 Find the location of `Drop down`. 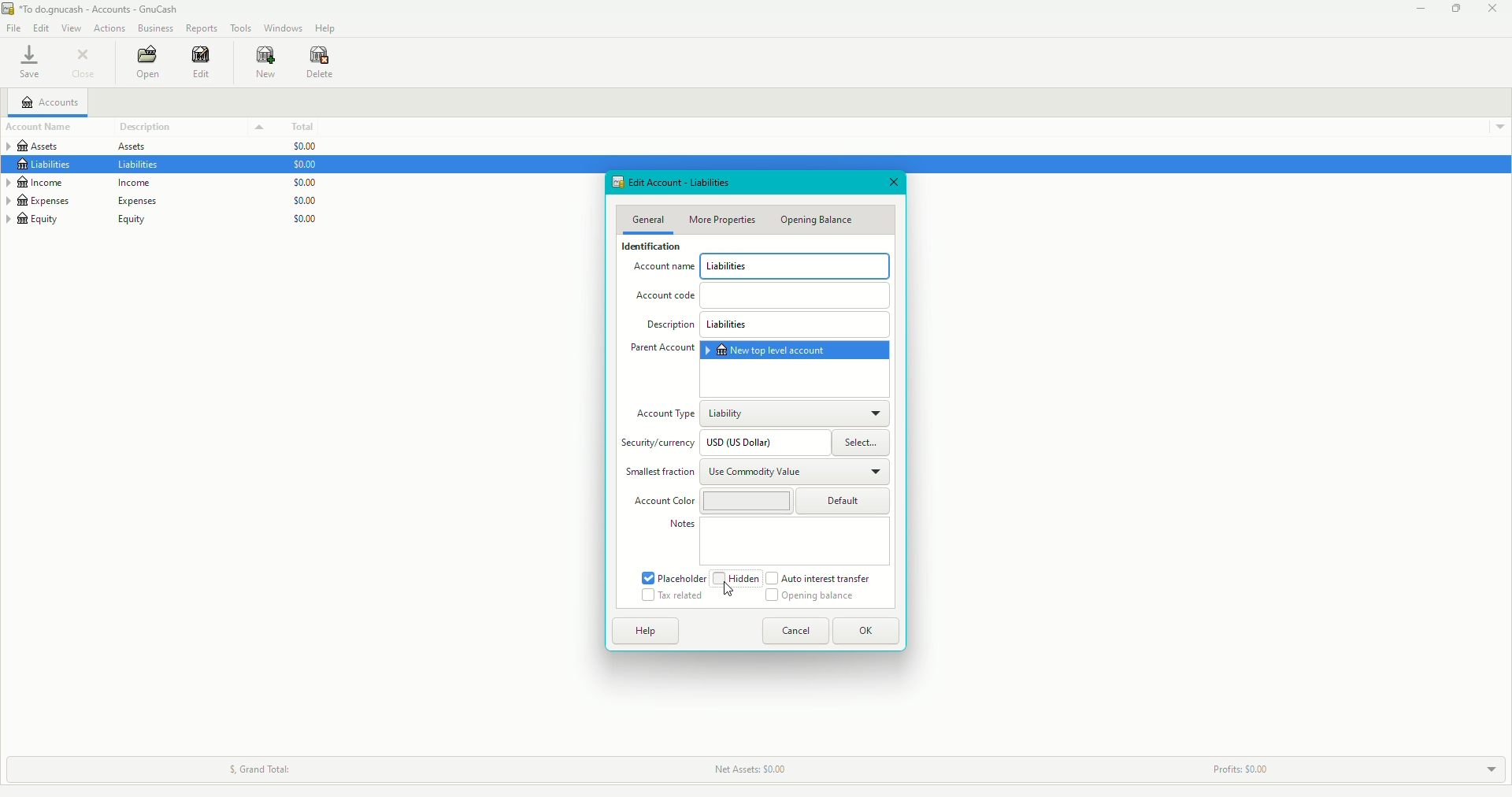

Drop down is located at coordinates (258, 127).